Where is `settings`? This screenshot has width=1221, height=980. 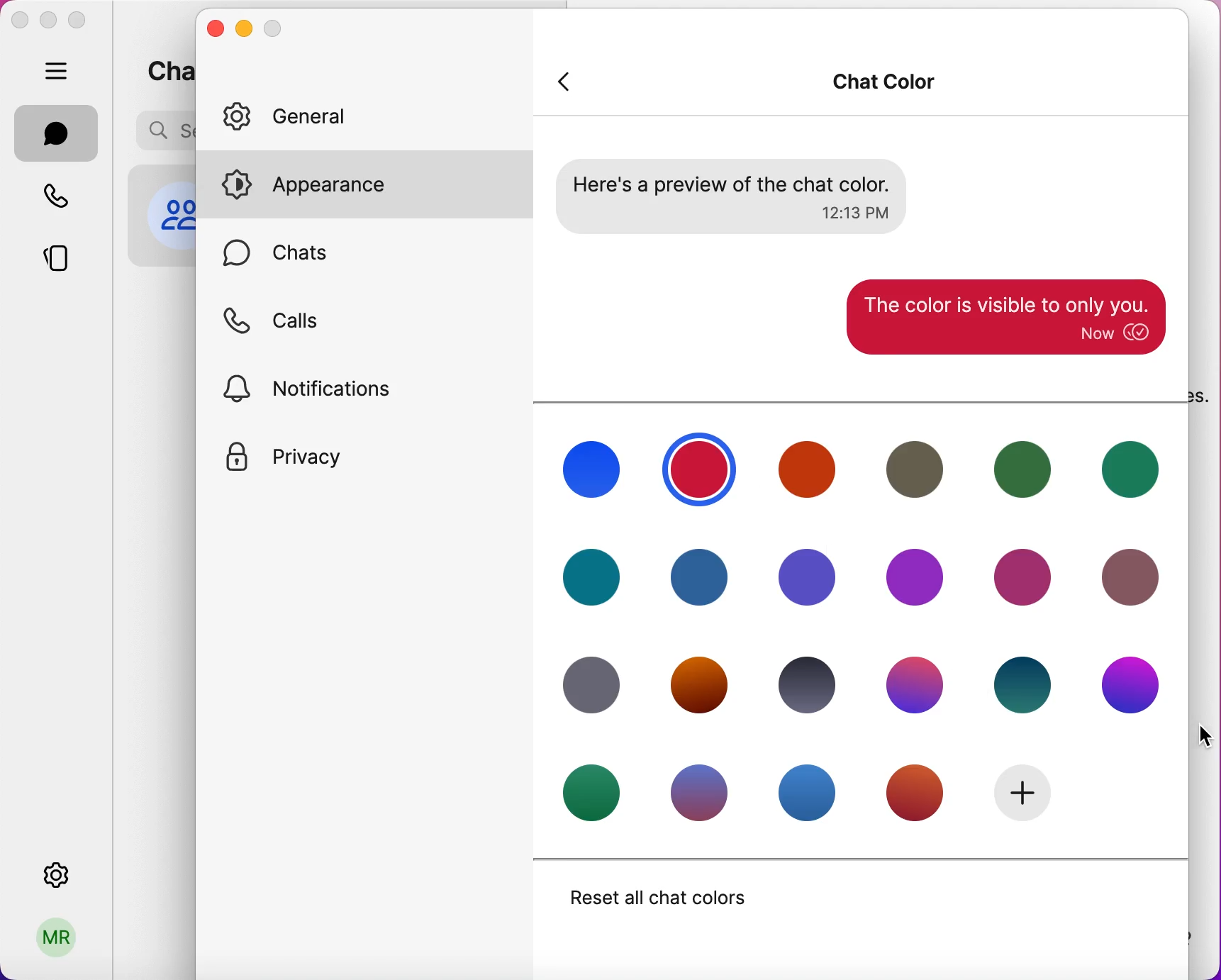
settings is located at coordinates (60, 871).